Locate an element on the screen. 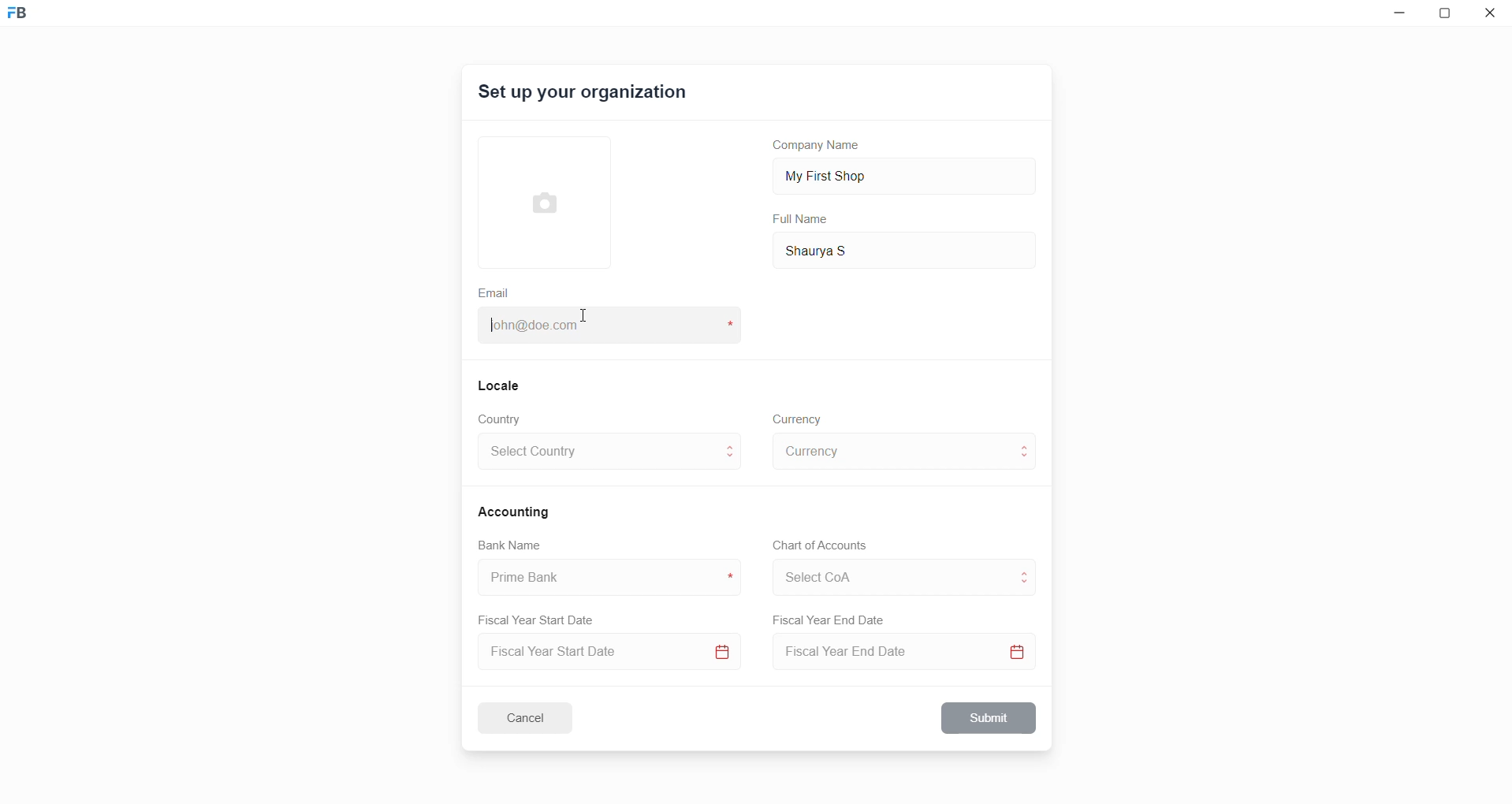 This screenshot has width=1512, height=804. My First Shop is located at coordinates (851, 174).